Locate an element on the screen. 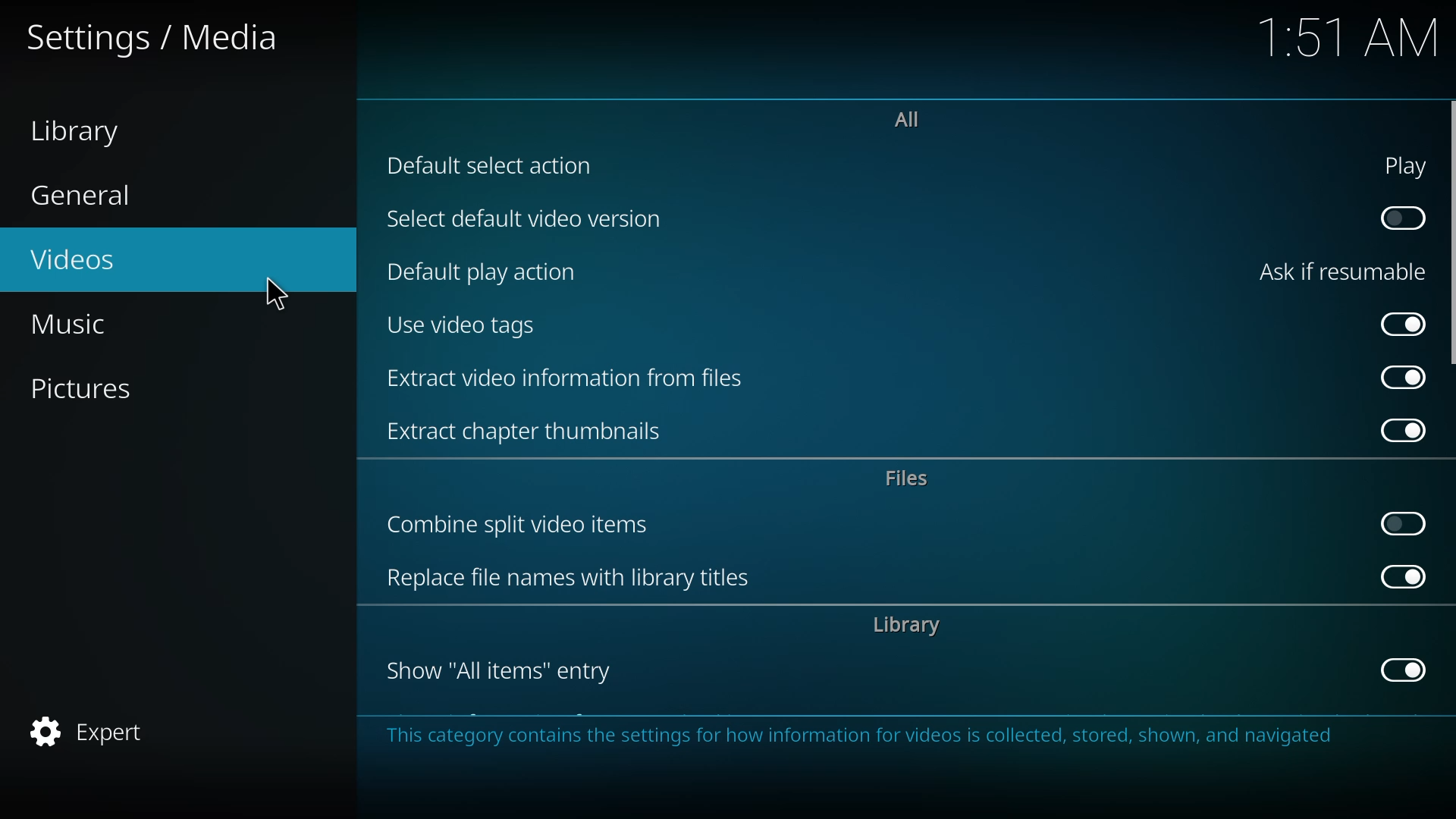  pictures is located at coordinates (91, 391).